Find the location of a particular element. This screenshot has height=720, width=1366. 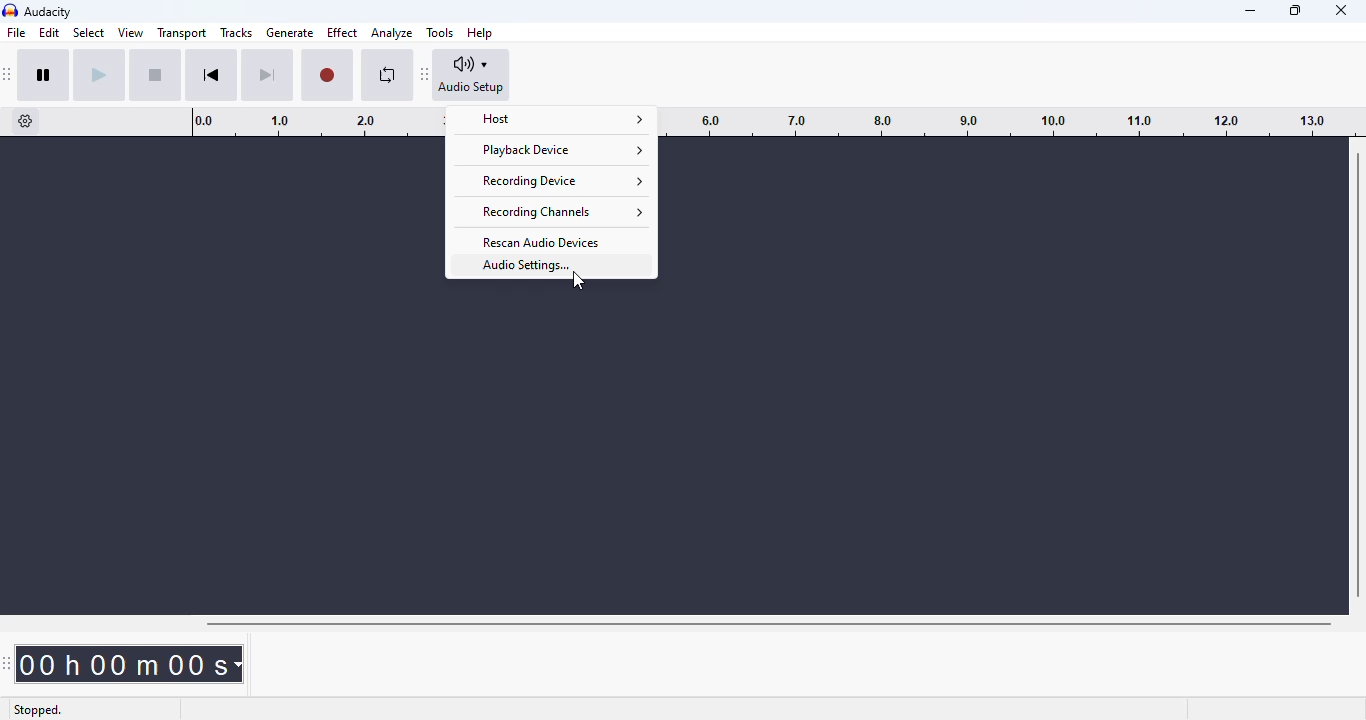

vertical scroll bar is located at coordinates (1357, 374).